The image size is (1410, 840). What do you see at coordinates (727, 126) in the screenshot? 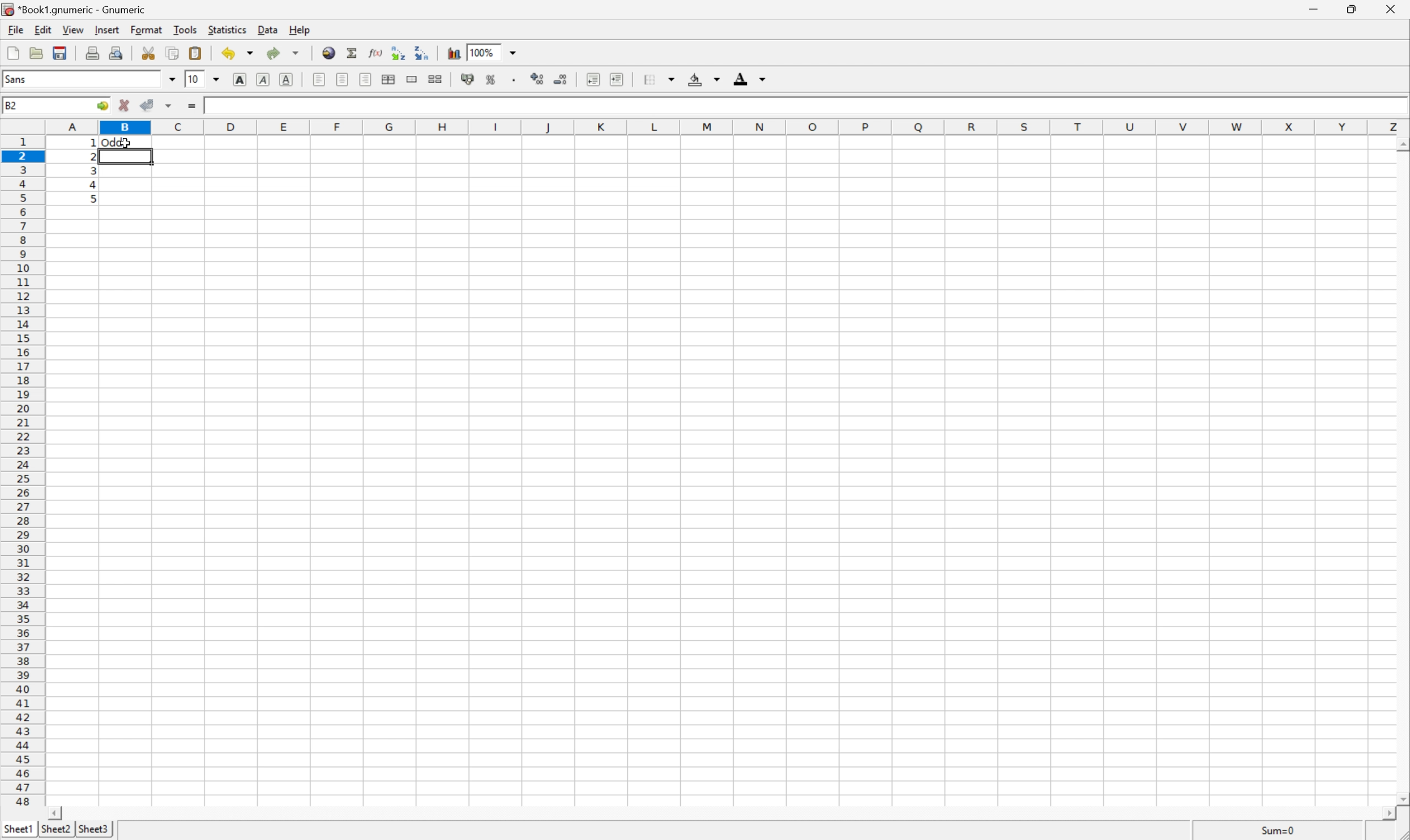
I see `Column names` at bounding box center [727, 126].